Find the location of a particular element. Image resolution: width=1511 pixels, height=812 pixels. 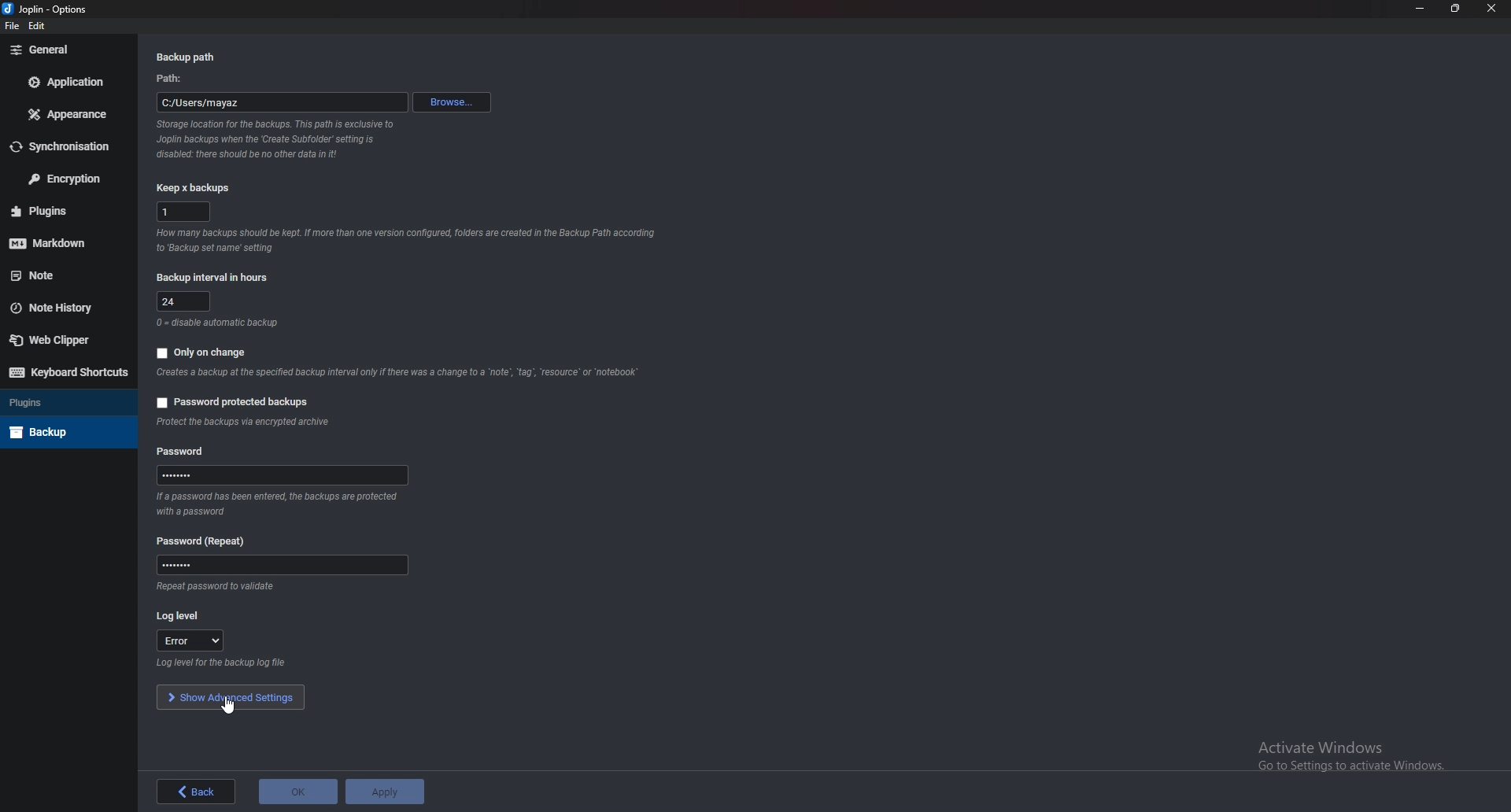

Appearance is located at coordinates (68, 116).